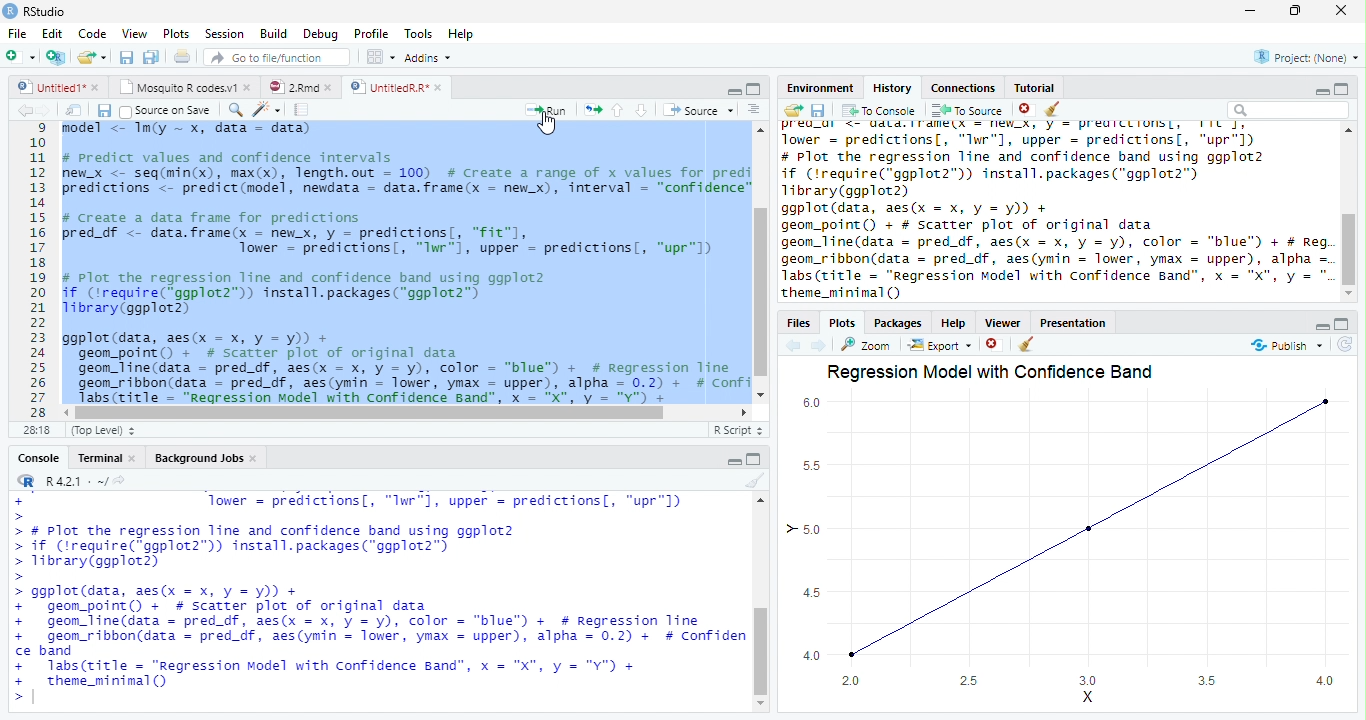 Image resolution: width=1366 pixels, height=720 pixels. What do you see at coordinates (878, 112) in the screenshot?
I see `To Console` at bounding box center [878, 112].